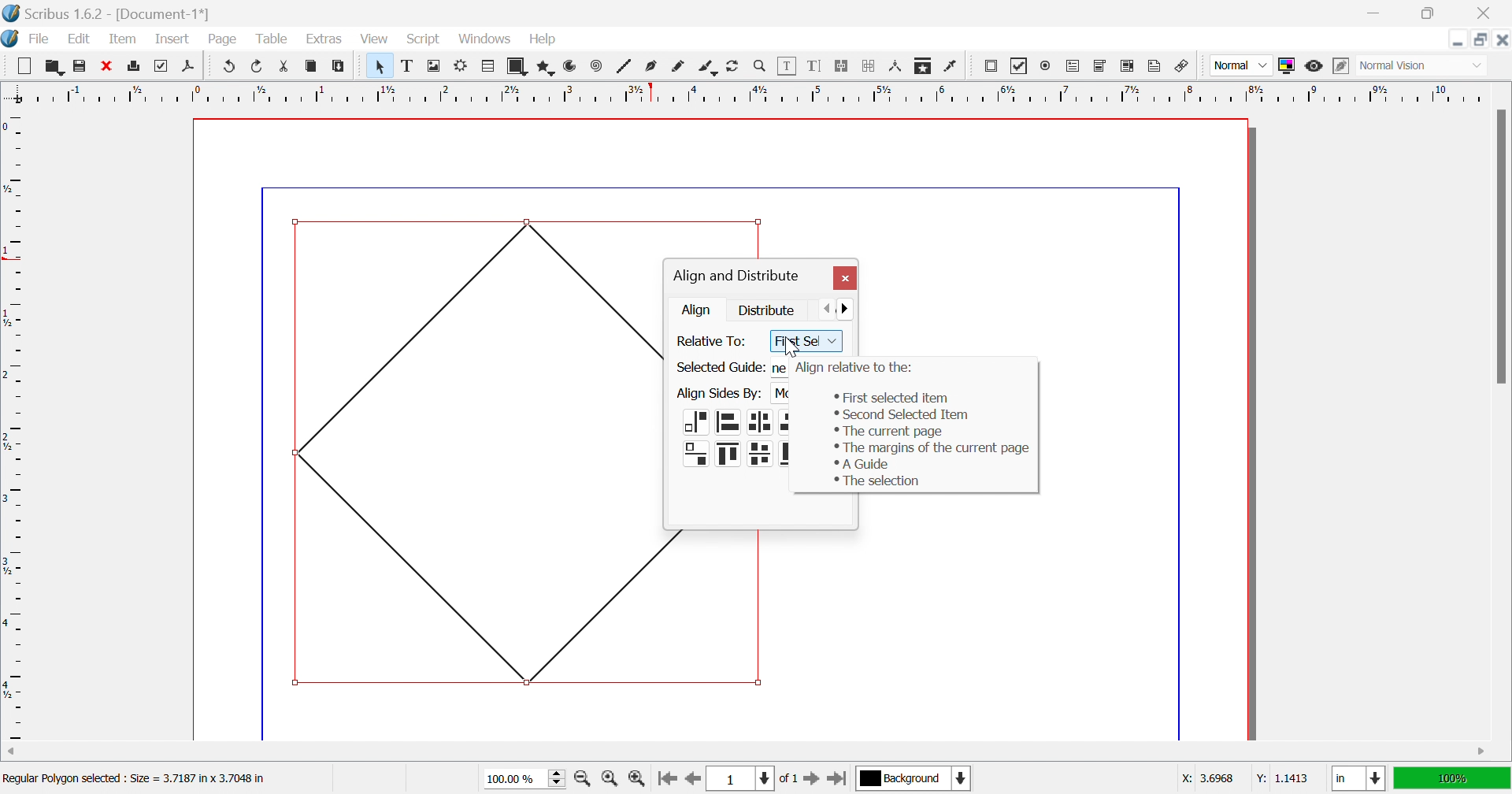  Describe the element at coordinates (921, 67) in the screenshot. I see `Copy item properties` at that location.